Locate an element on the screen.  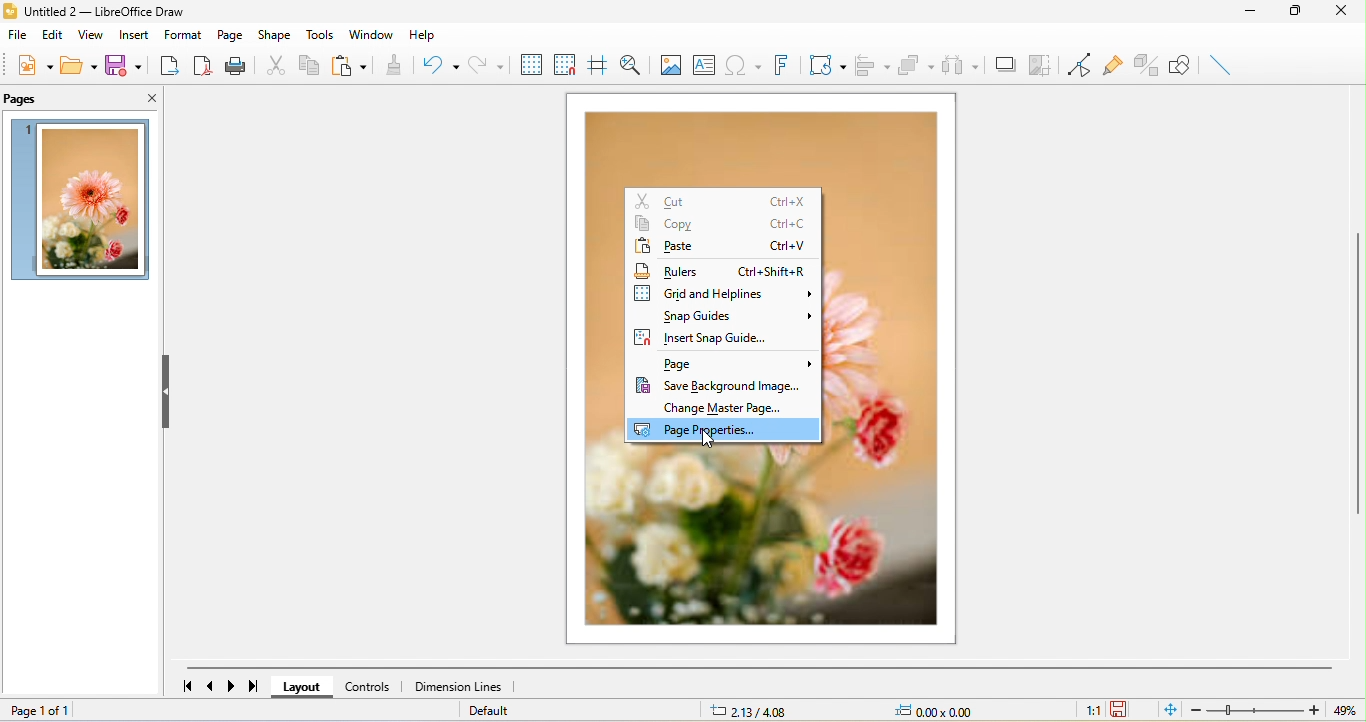
cut is located at coordinates (724, 201).